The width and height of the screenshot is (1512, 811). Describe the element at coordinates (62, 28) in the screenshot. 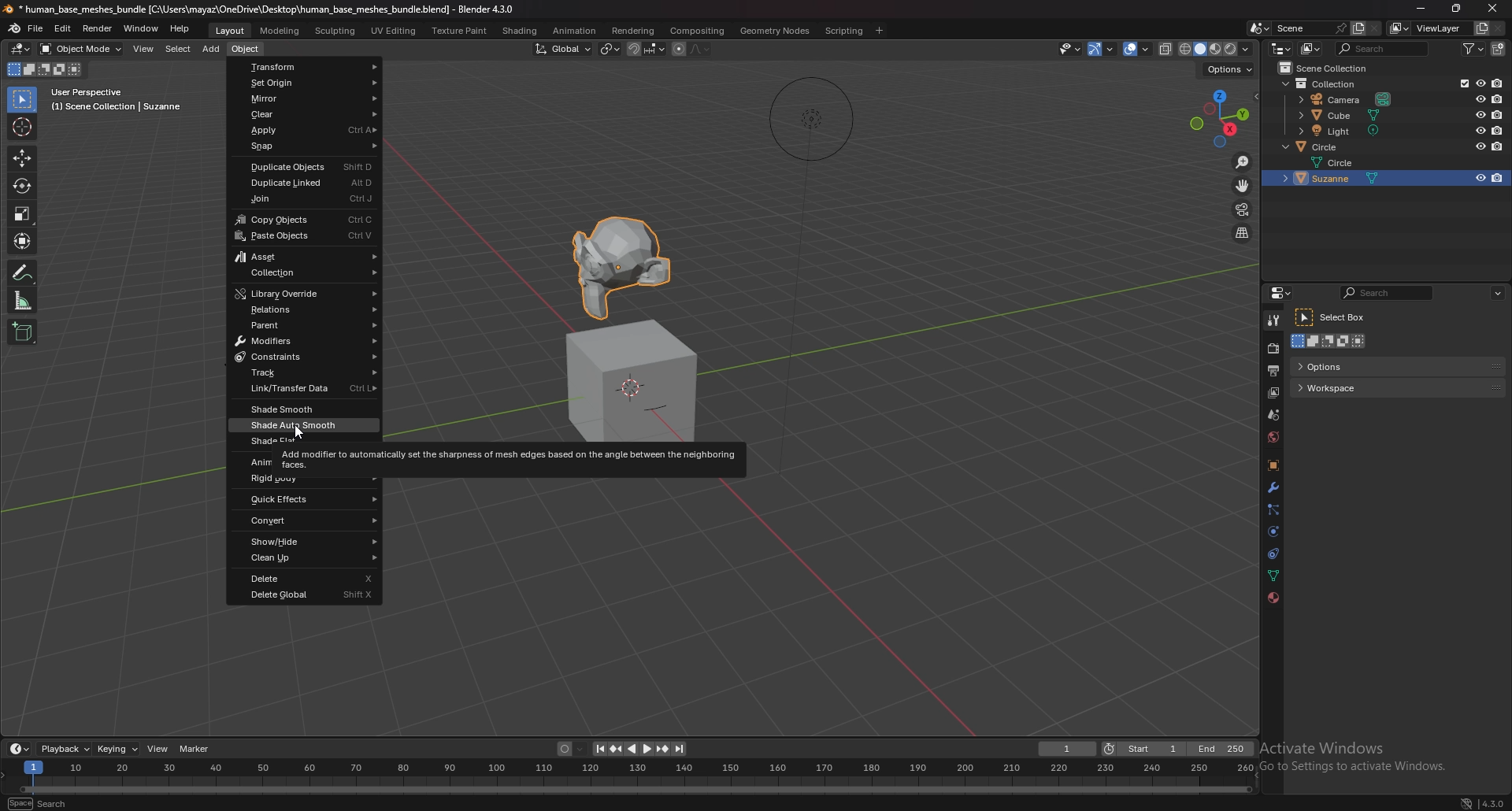

I see `edit` at that location.